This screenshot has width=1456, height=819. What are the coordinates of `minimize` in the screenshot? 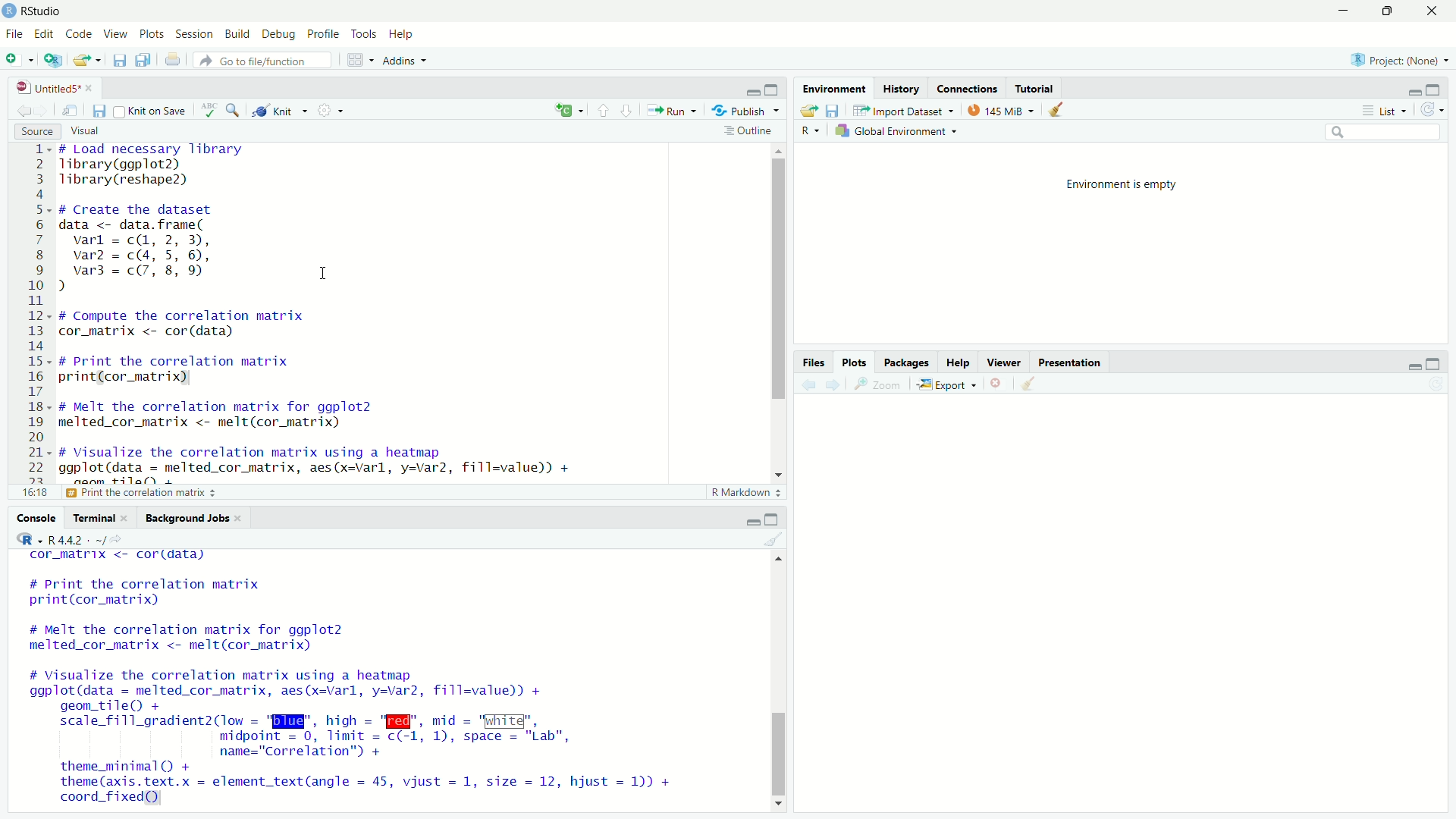 It's located at (1414, 89).